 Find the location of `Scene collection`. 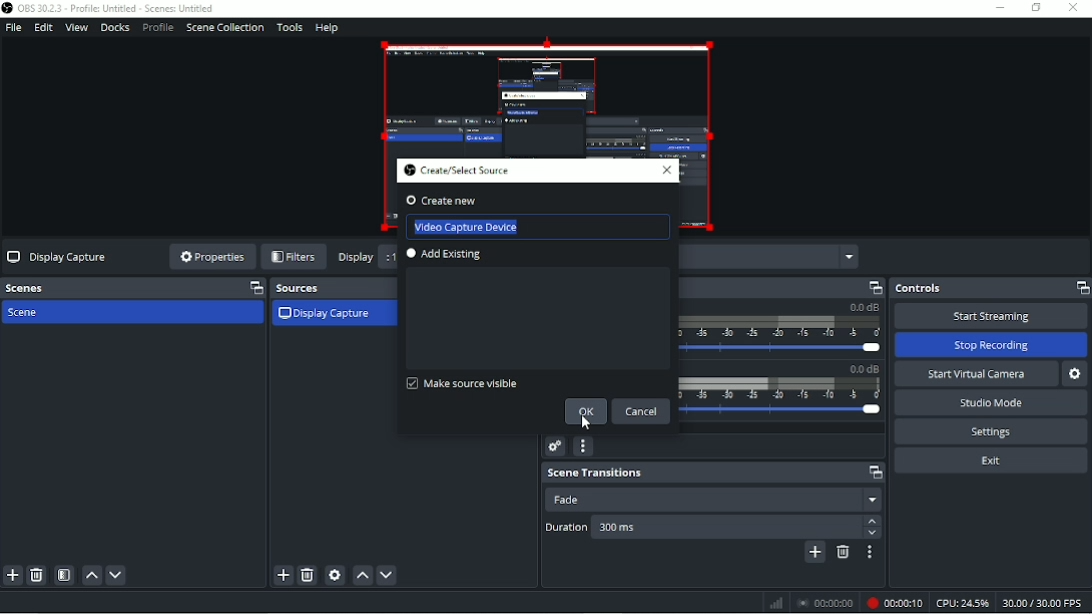

Scene collection is located at coordinates (225, 27).